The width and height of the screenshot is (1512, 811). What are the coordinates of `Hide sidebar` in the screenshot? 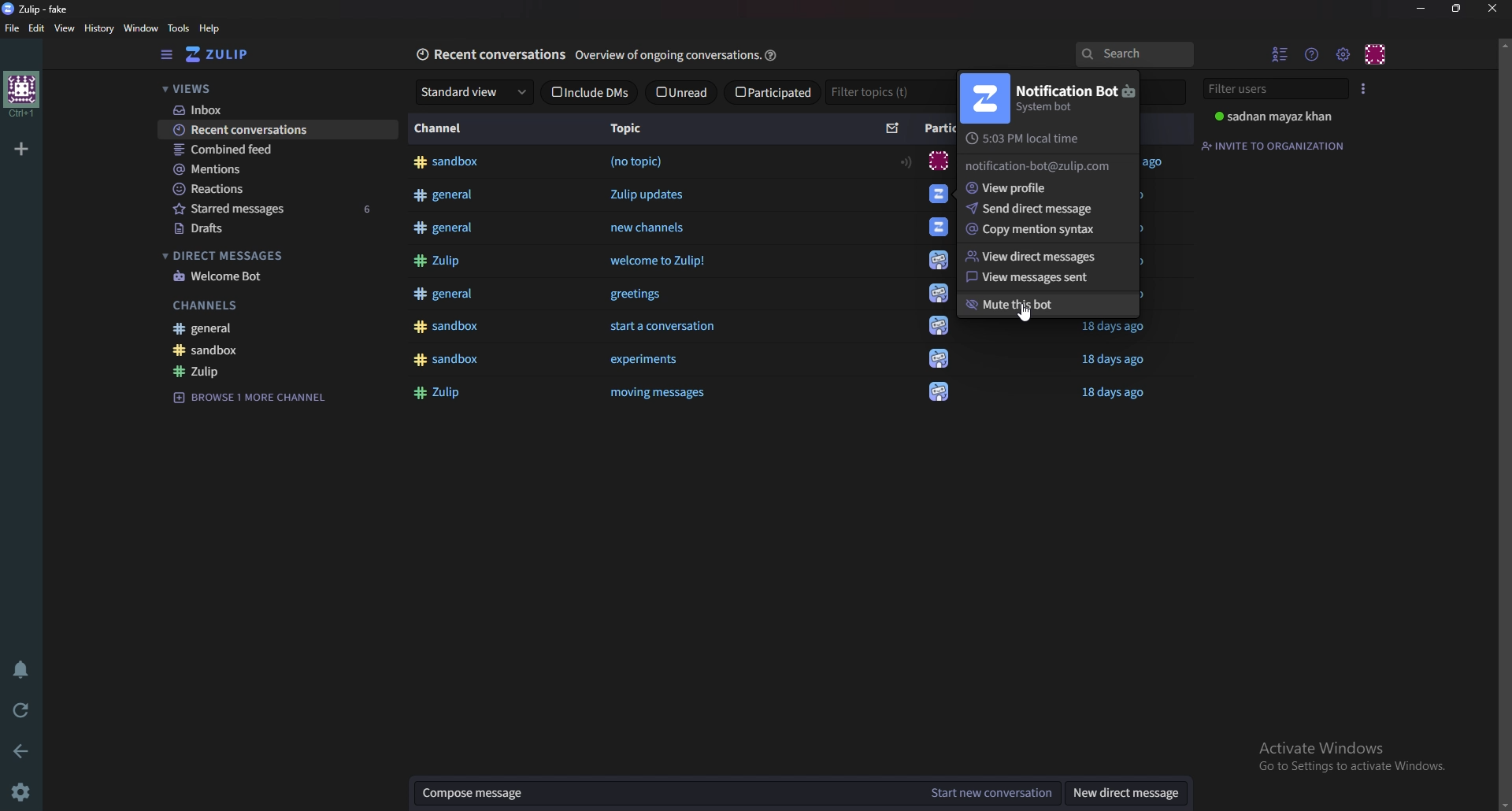 It's located at (168, 54).